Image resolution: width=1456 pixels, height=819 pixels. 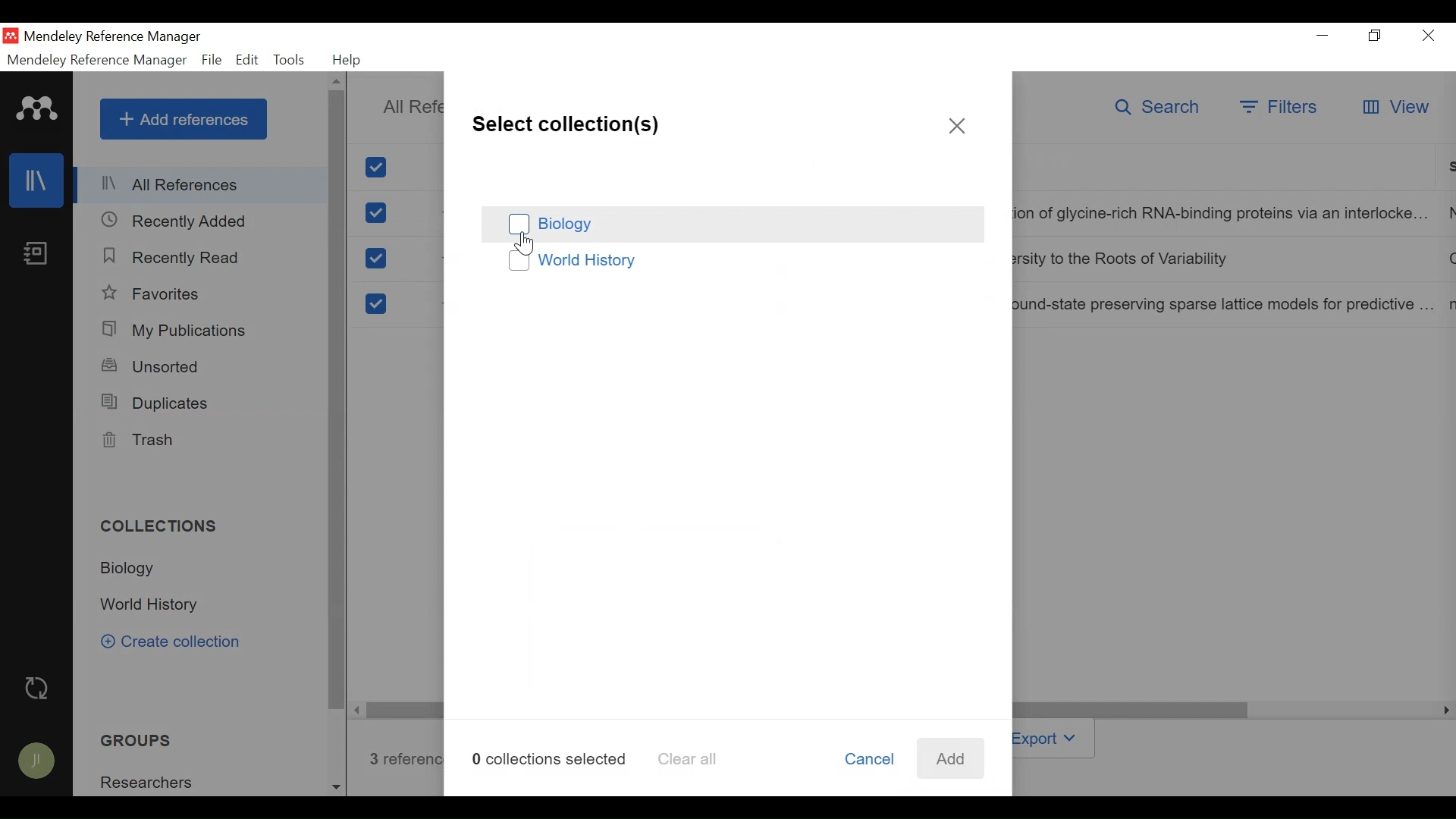 I want to click on Restore, so click(x=1376, y=36).